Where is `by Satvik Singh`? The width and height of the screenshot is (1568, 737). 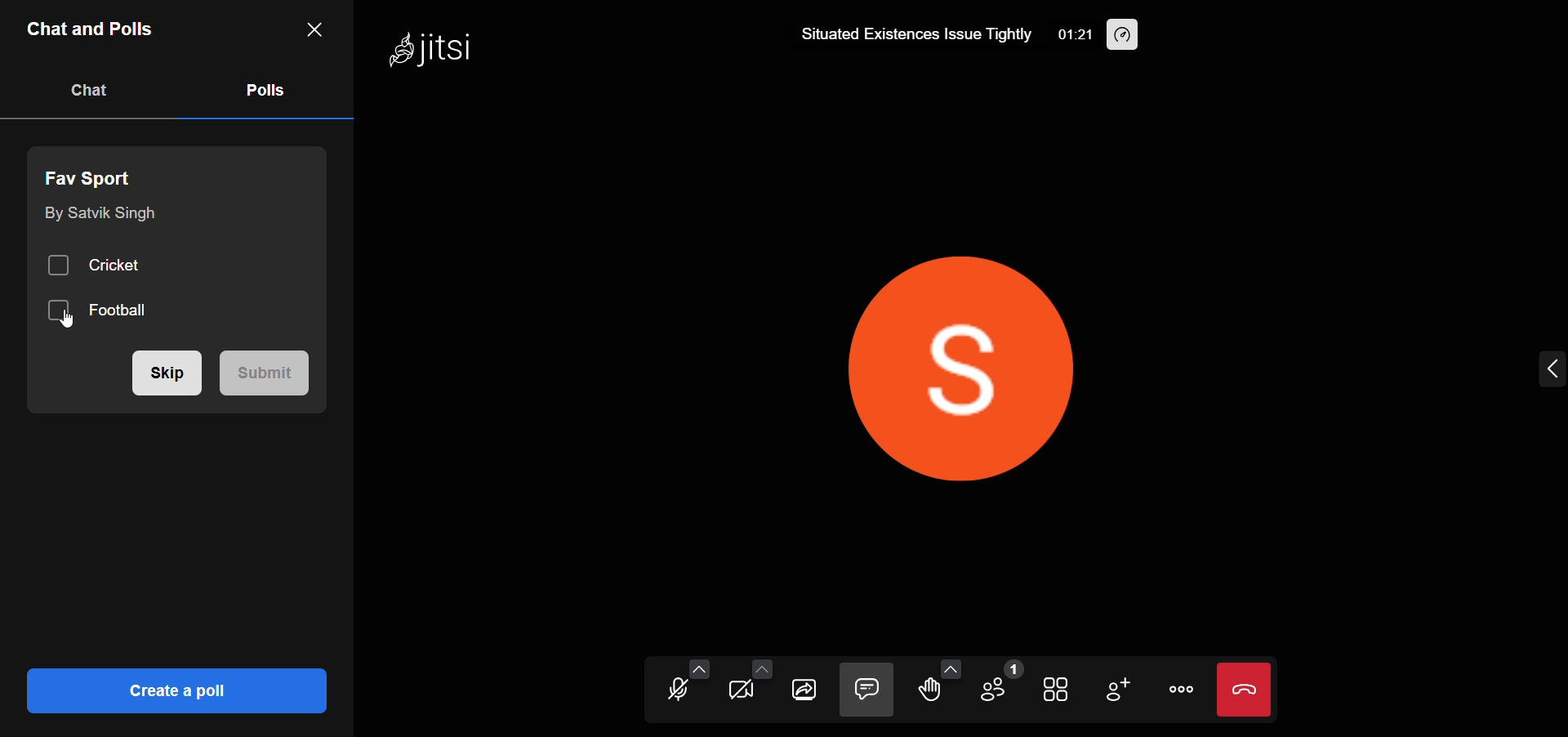 by Satvik Singh is located at coordinates (99, 217).